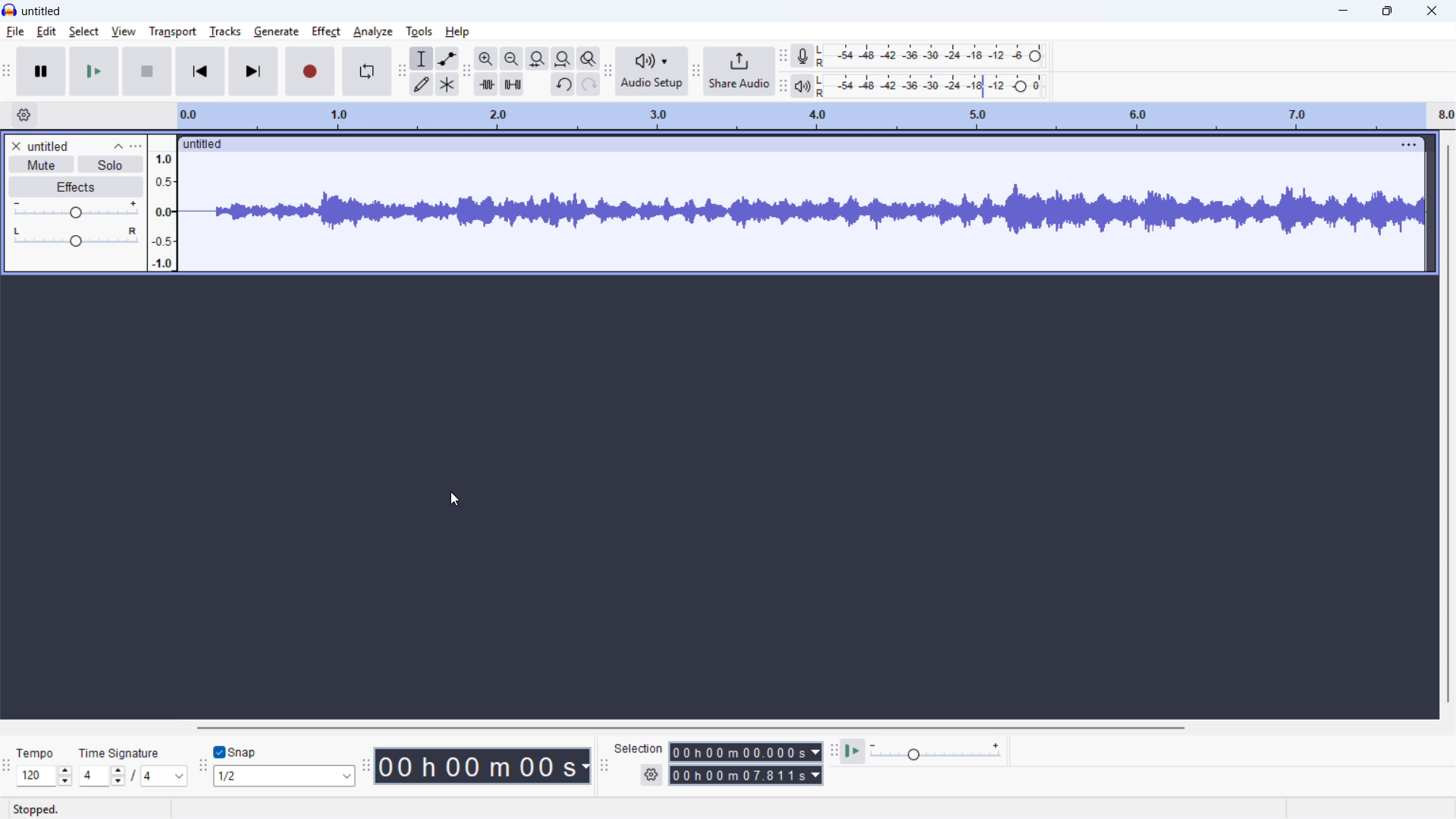 The width and height of the screenshot is (1456, 819). Describe the element at coordinates (224, 32) in the screenshot. I see `tracks` at that location.